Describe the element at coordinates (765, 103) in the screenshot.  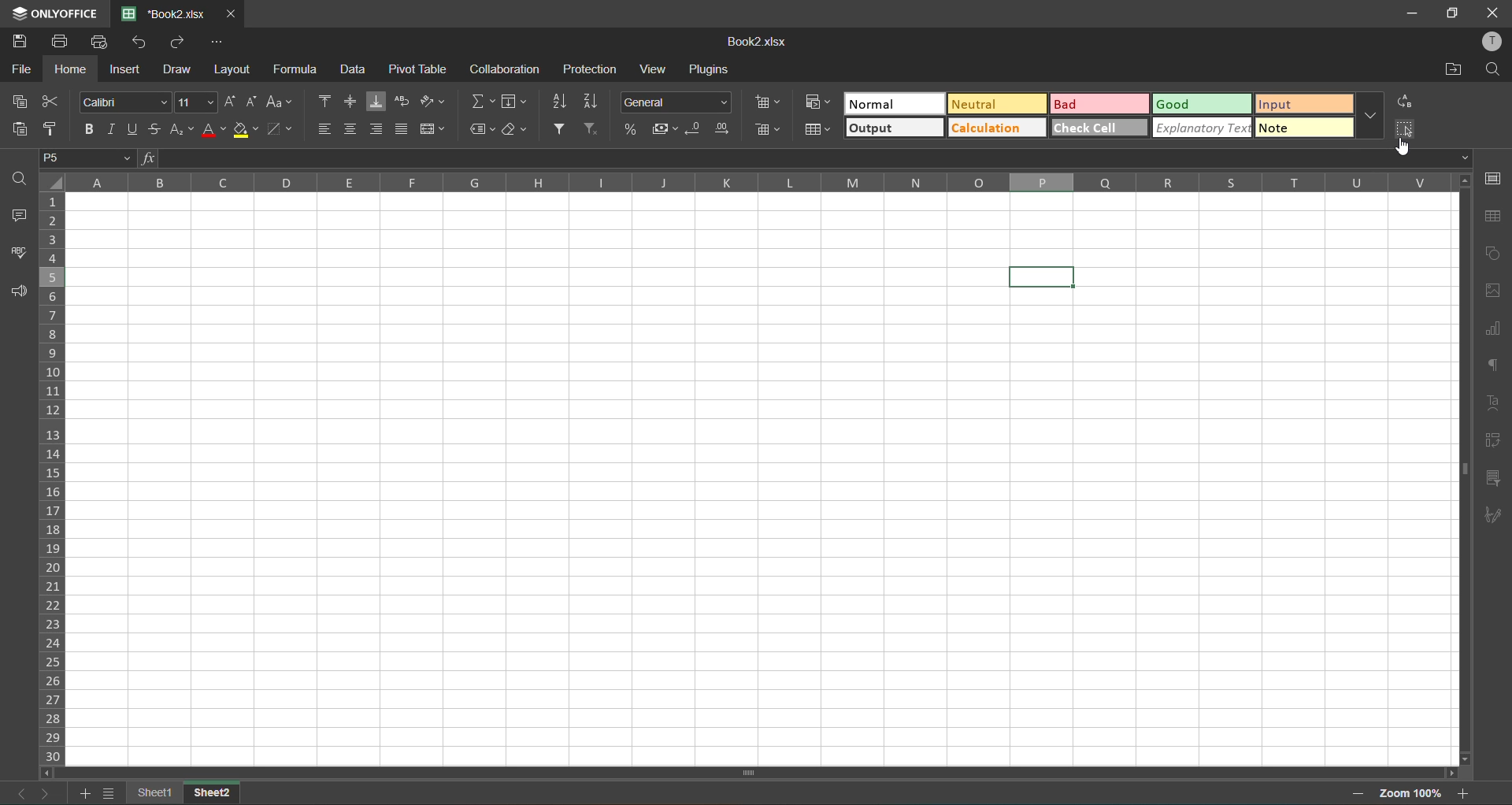
I see `insert cells` at that location.